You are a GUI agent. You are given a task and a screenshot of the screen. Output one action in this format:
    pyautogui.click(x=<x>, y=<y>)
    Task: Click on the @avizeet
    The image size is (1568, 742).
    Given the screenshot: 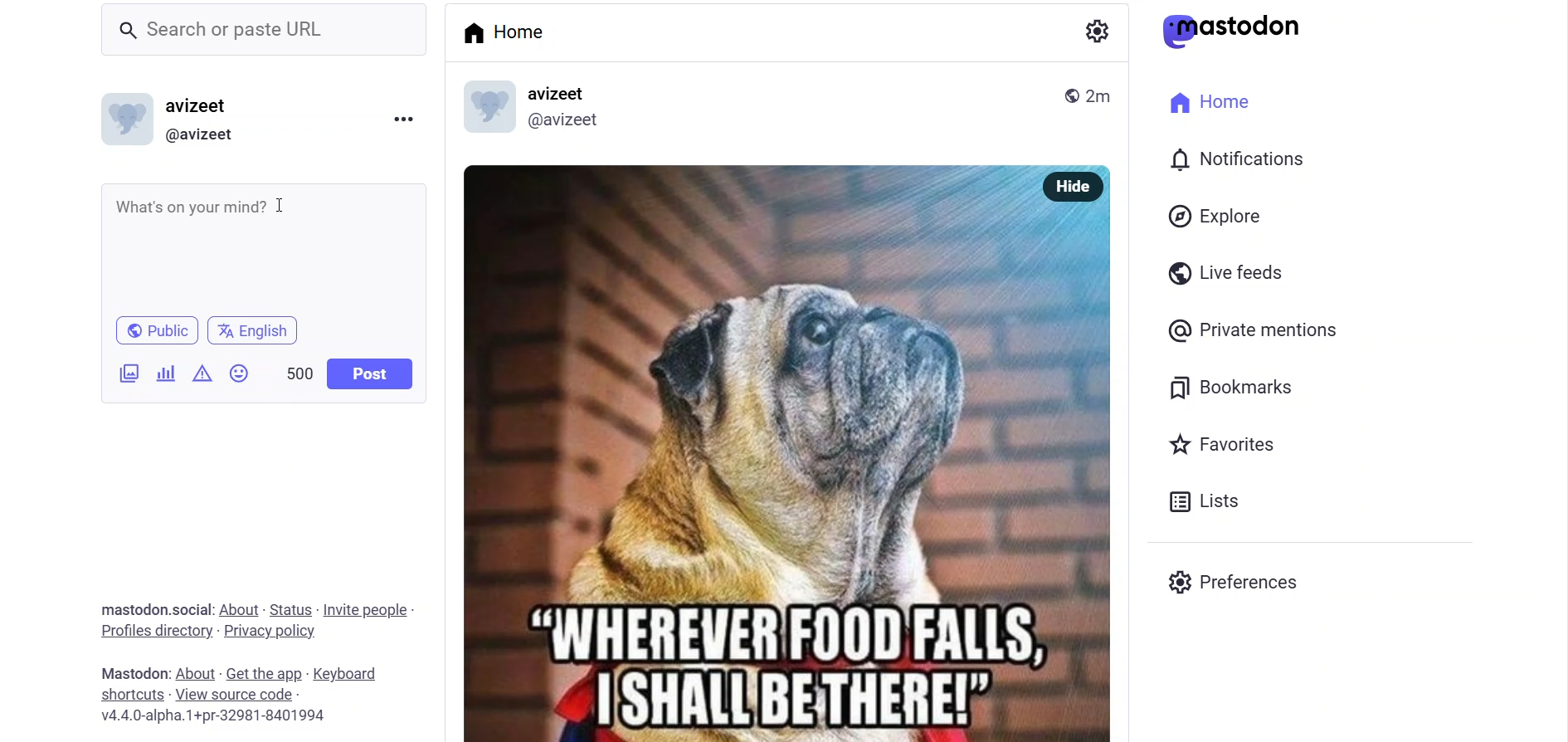 What is the action you would take?
    pyautogui.click(x=206, y=135)
    